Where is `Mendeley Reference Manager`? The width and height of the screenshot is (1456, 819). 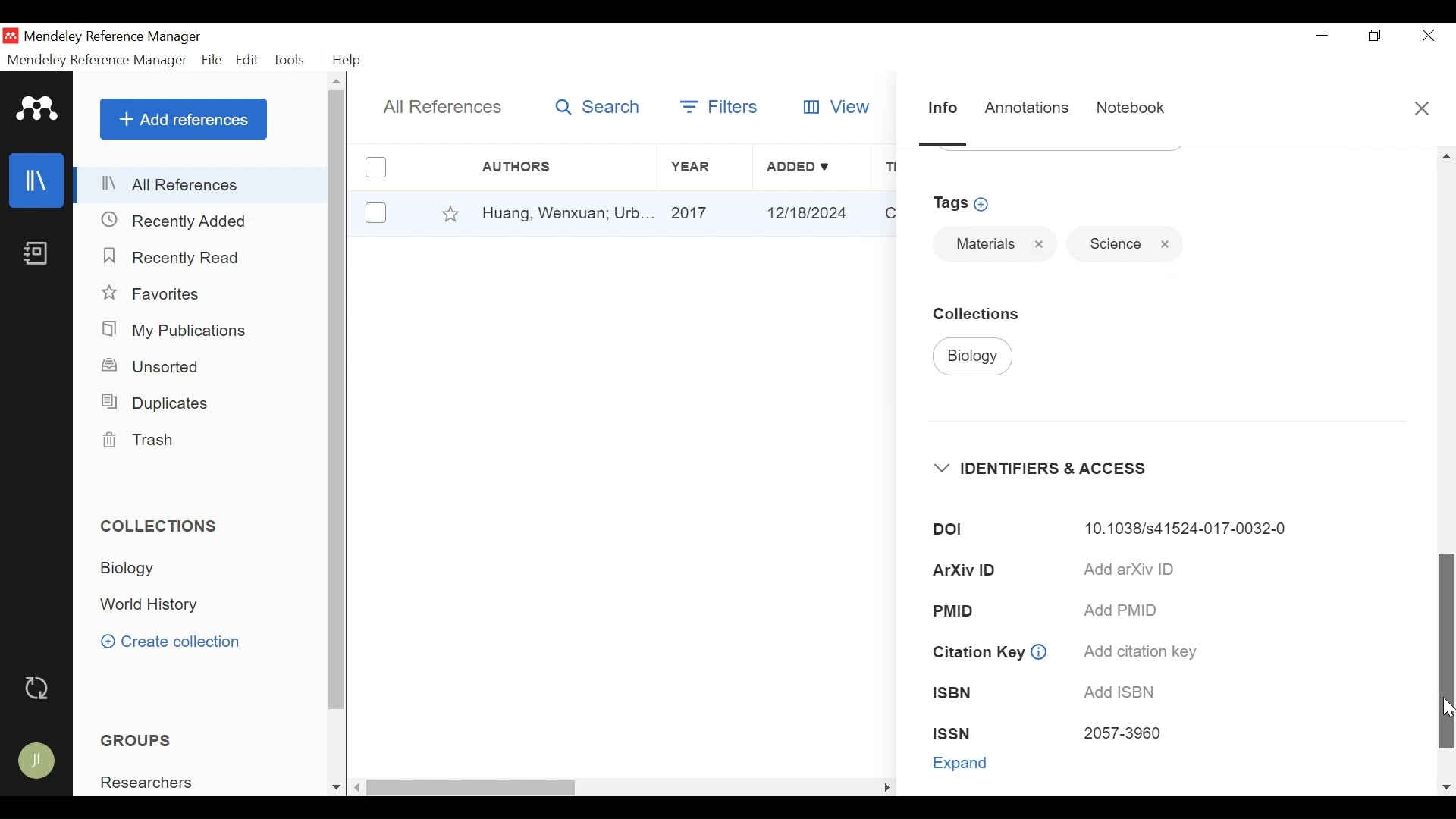 Mendeley Reference Manager is located at coordinates (97, 61).